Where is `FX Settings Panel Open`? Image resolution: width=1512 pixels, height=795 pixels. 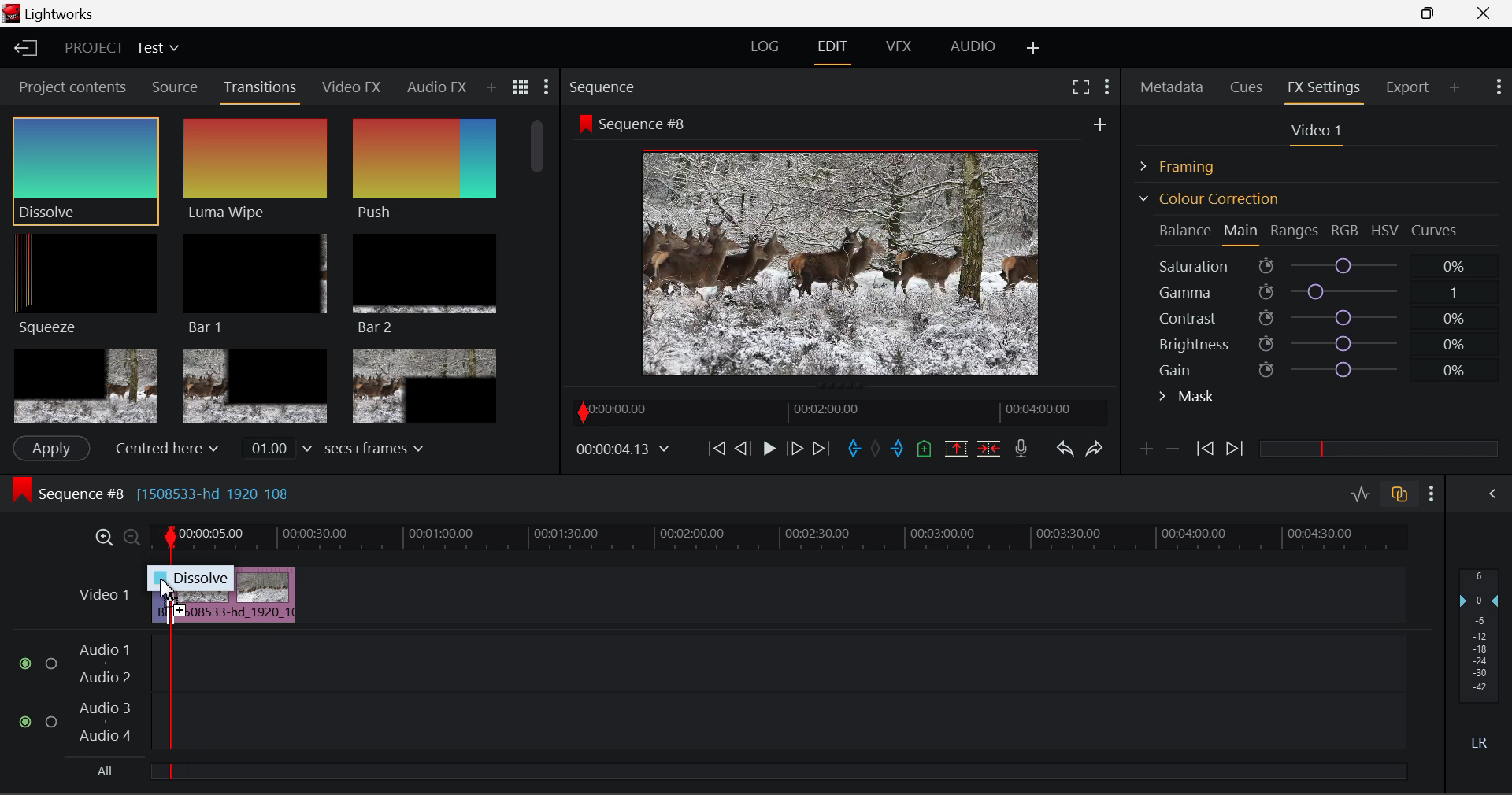 FX Settings Panel Open is located at coordinates (1325, 89).